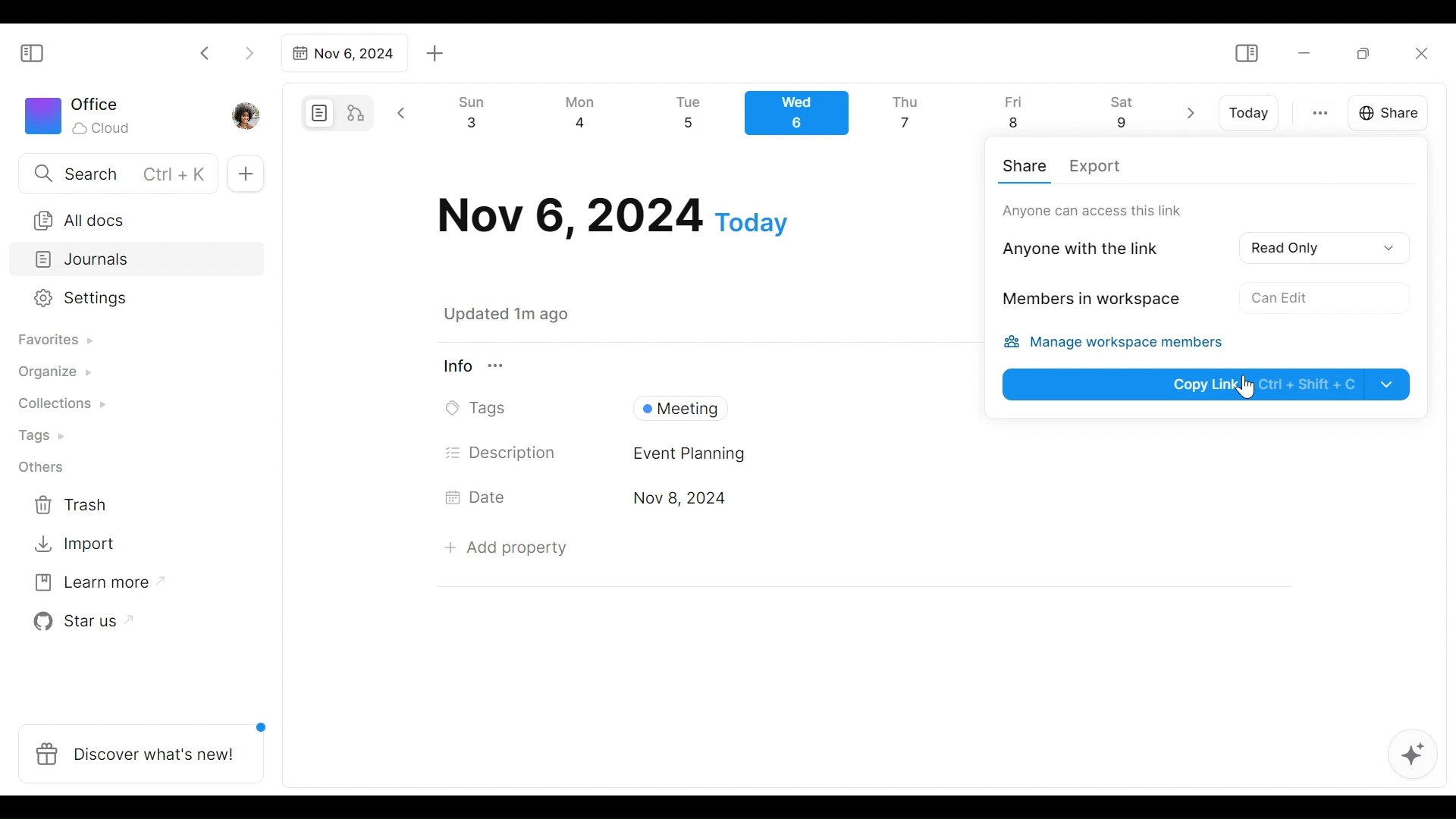  I want to click on Workspace icon, so click(80, 114).